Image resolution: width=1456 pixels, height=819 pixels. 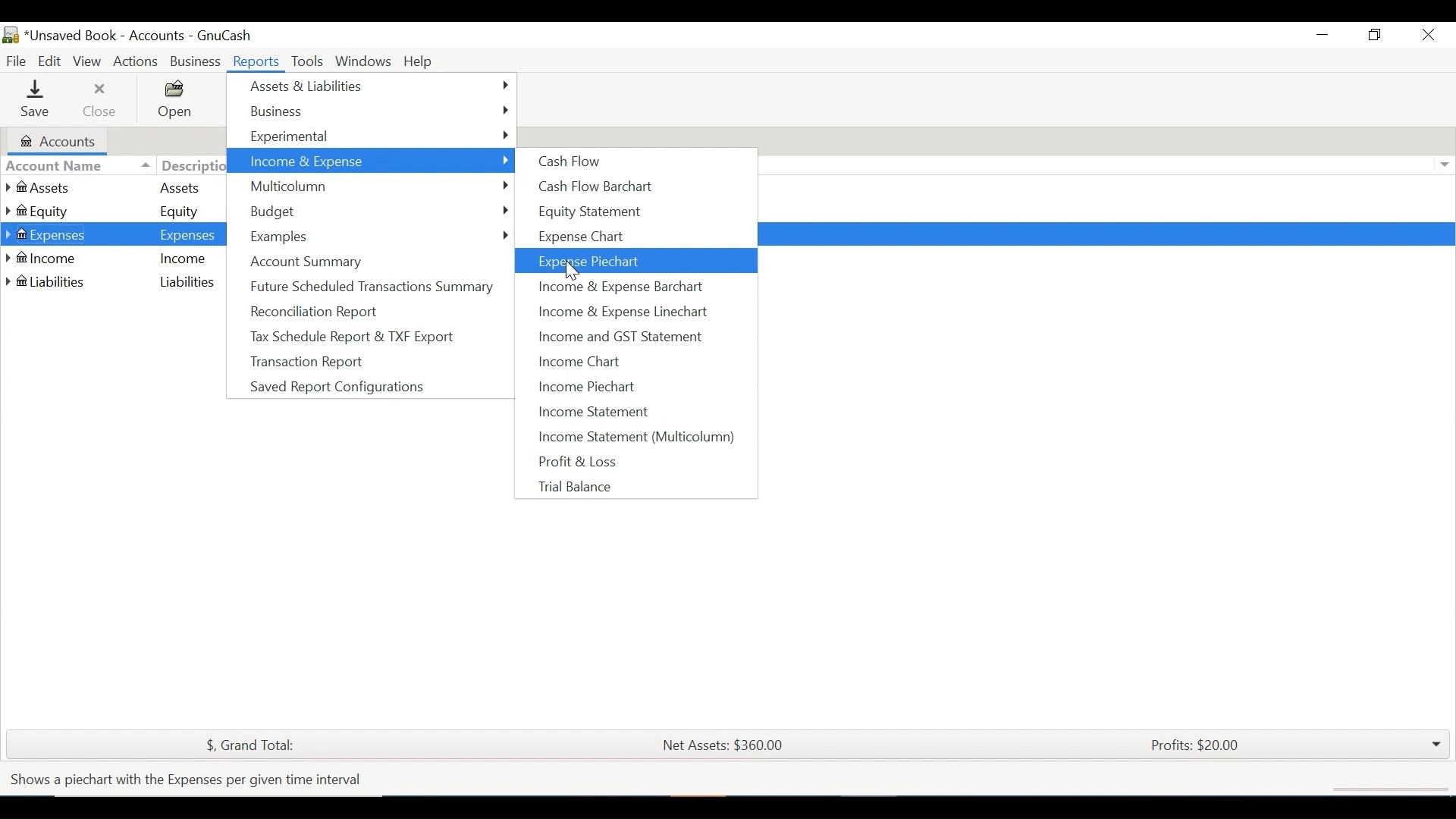 I want to click on Reconciliation Report, so click(x=313, y=311).